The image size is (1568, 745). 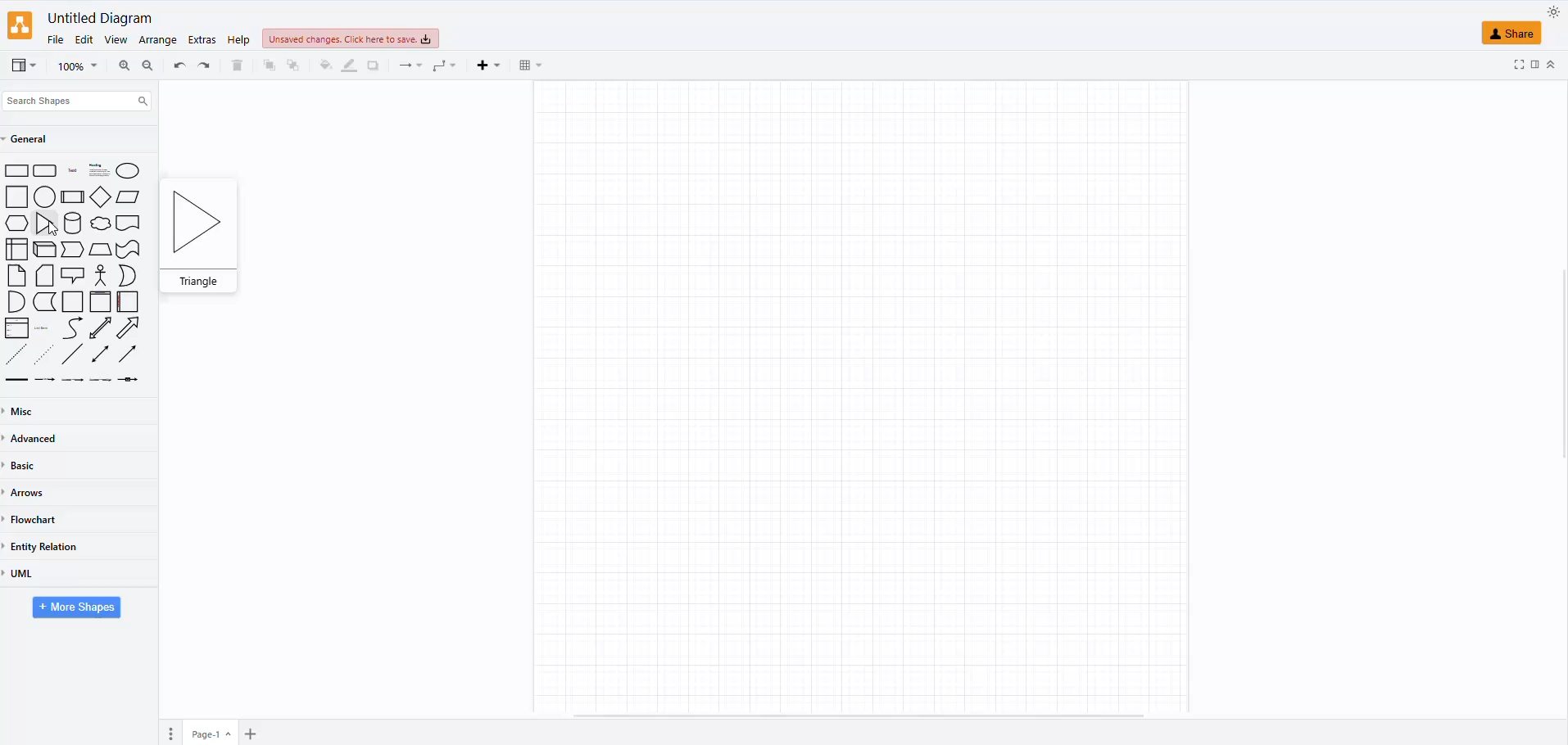 I want to click on zoom out, so click(x=122, y=63).